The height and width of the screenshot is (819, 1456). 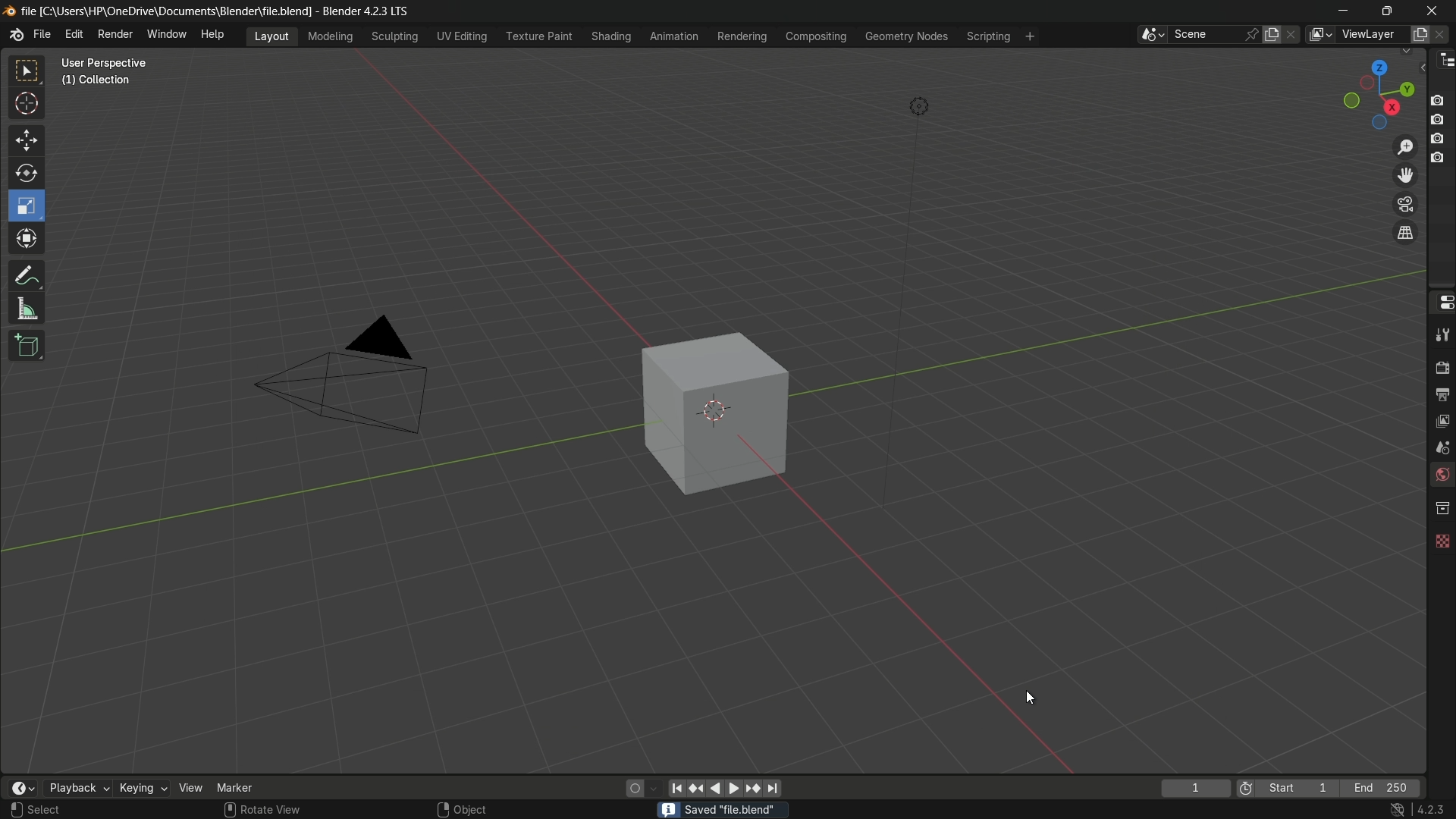 I want to click on render, so click(x=1439, y=366).